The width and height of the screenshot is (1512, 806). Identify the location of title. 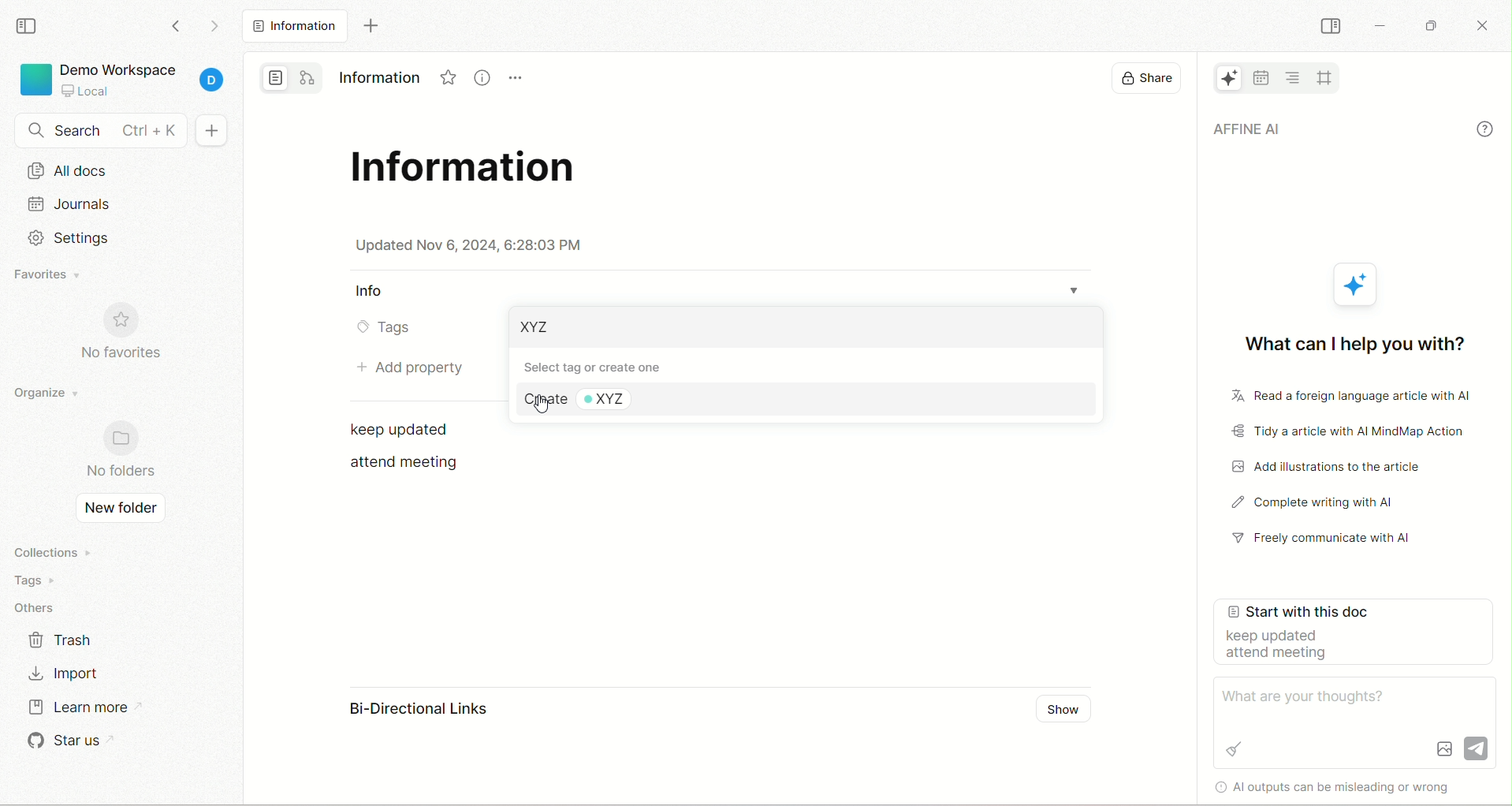
(468, 173).